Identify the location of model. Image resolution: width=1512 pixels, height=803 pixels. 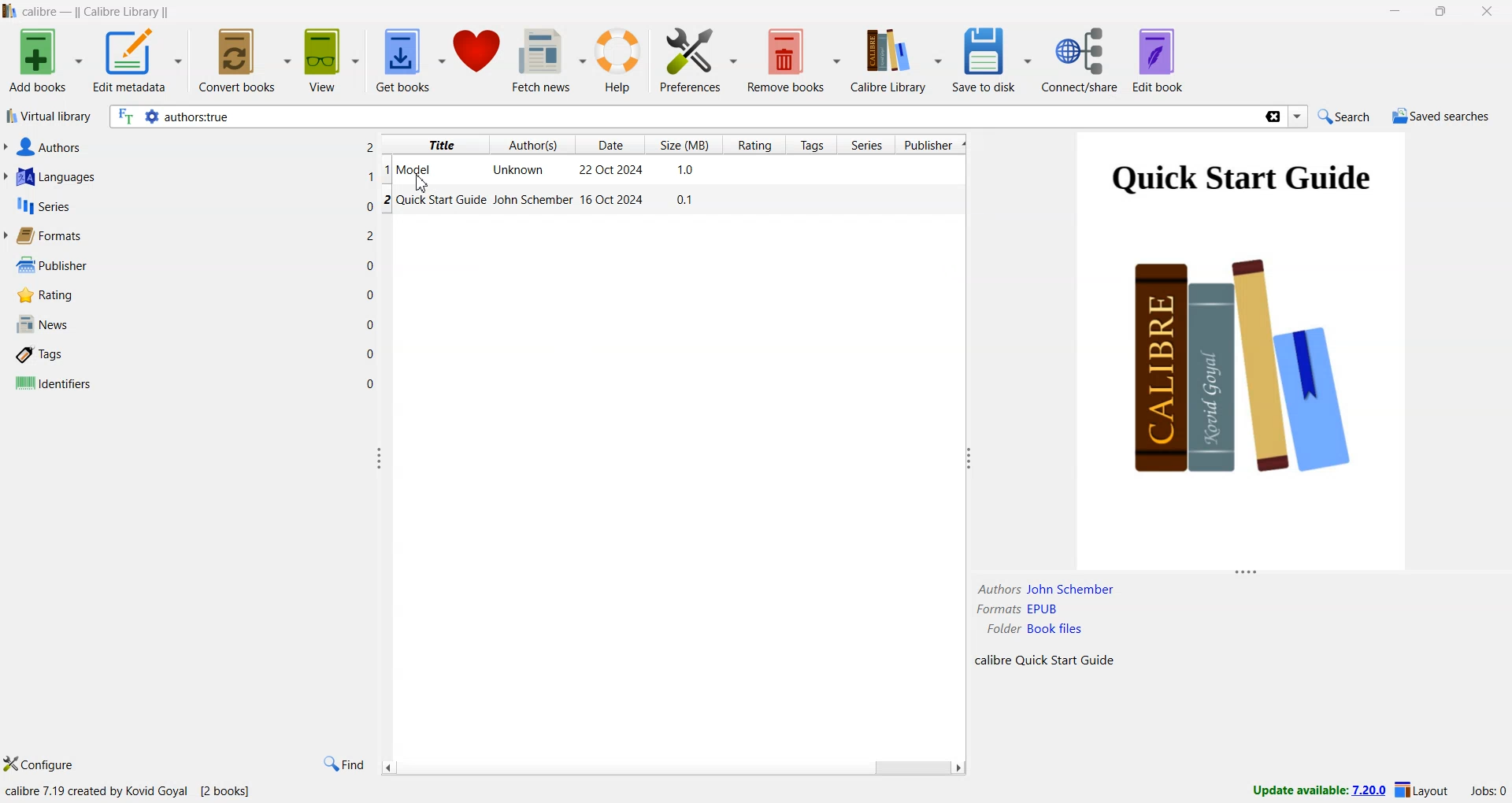
(417, 168).